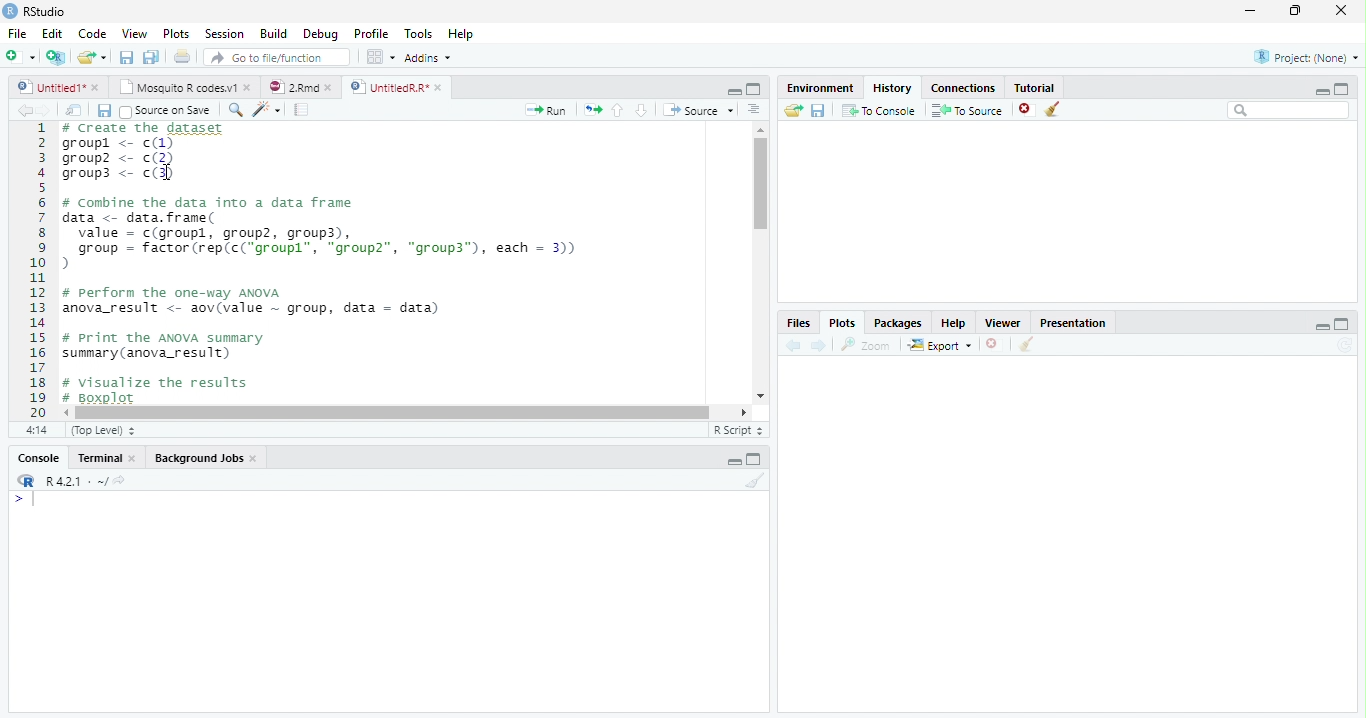 This screenshot has width=1366, height=718. What do you see at coordinates (617, 109) in the screenshot?
I see `Go to previous section` at bounding box center [617, 109].